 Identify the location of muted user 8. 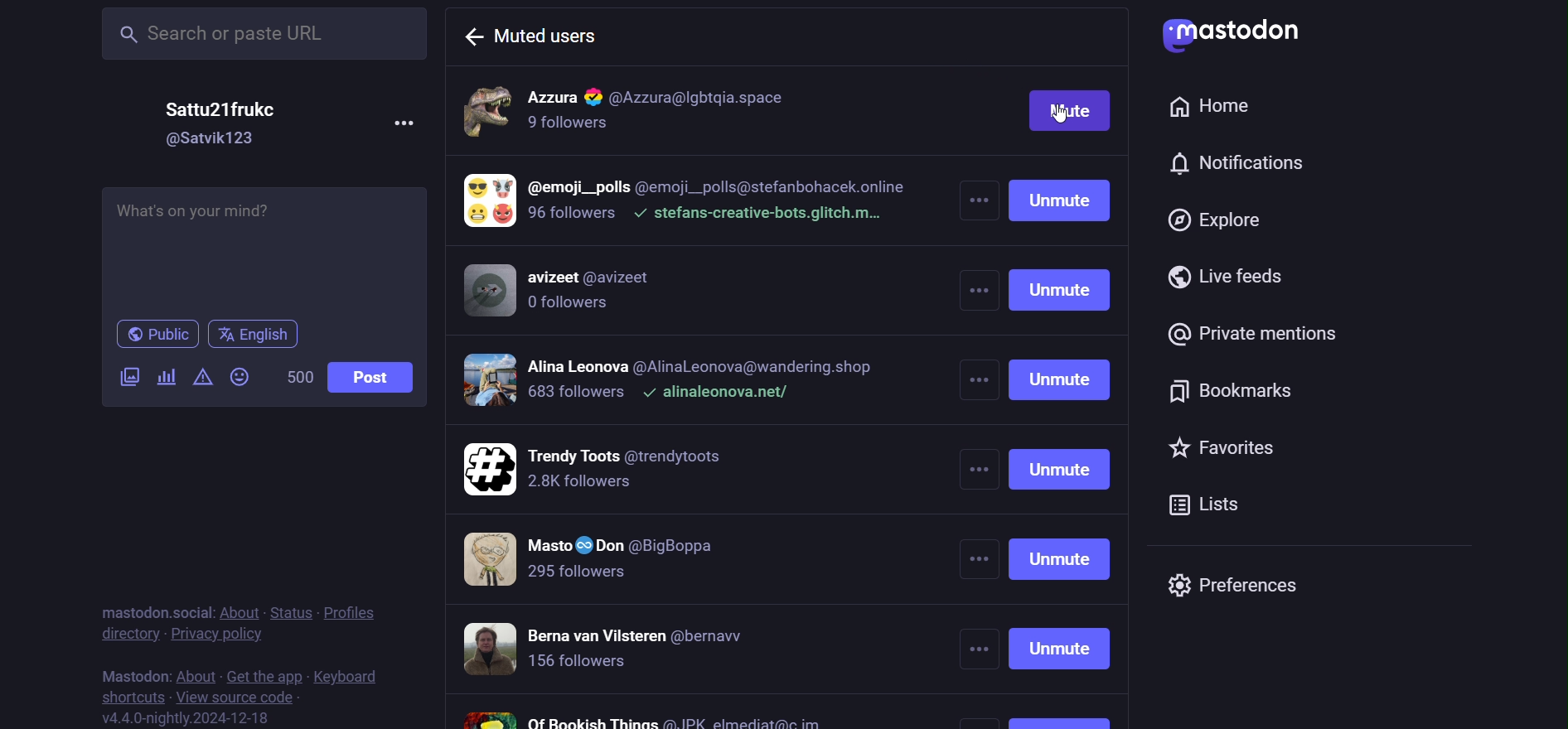
(646, 717).